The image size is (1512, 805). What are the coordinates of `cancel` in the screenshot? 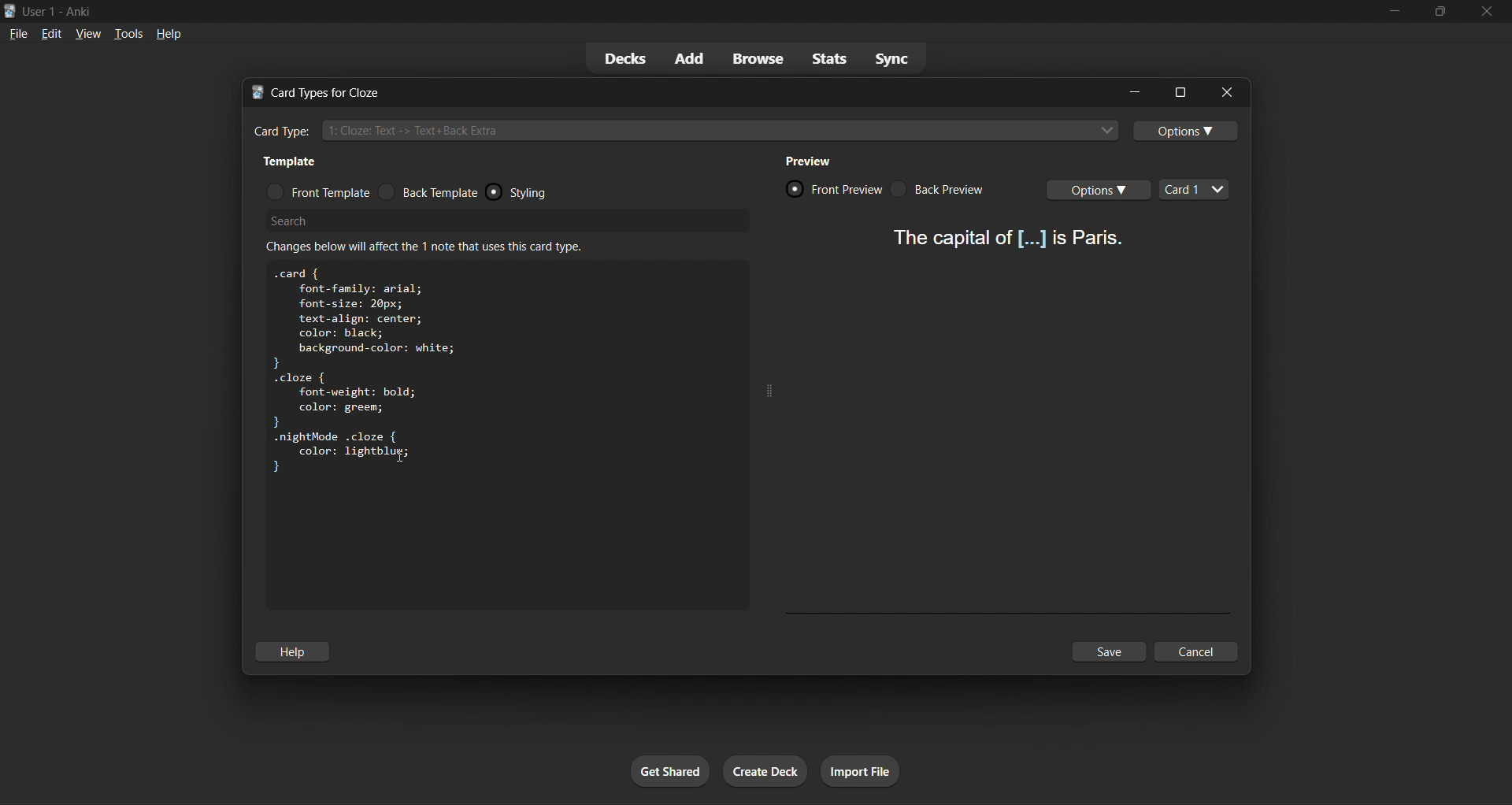 It's located at (1197, 651).